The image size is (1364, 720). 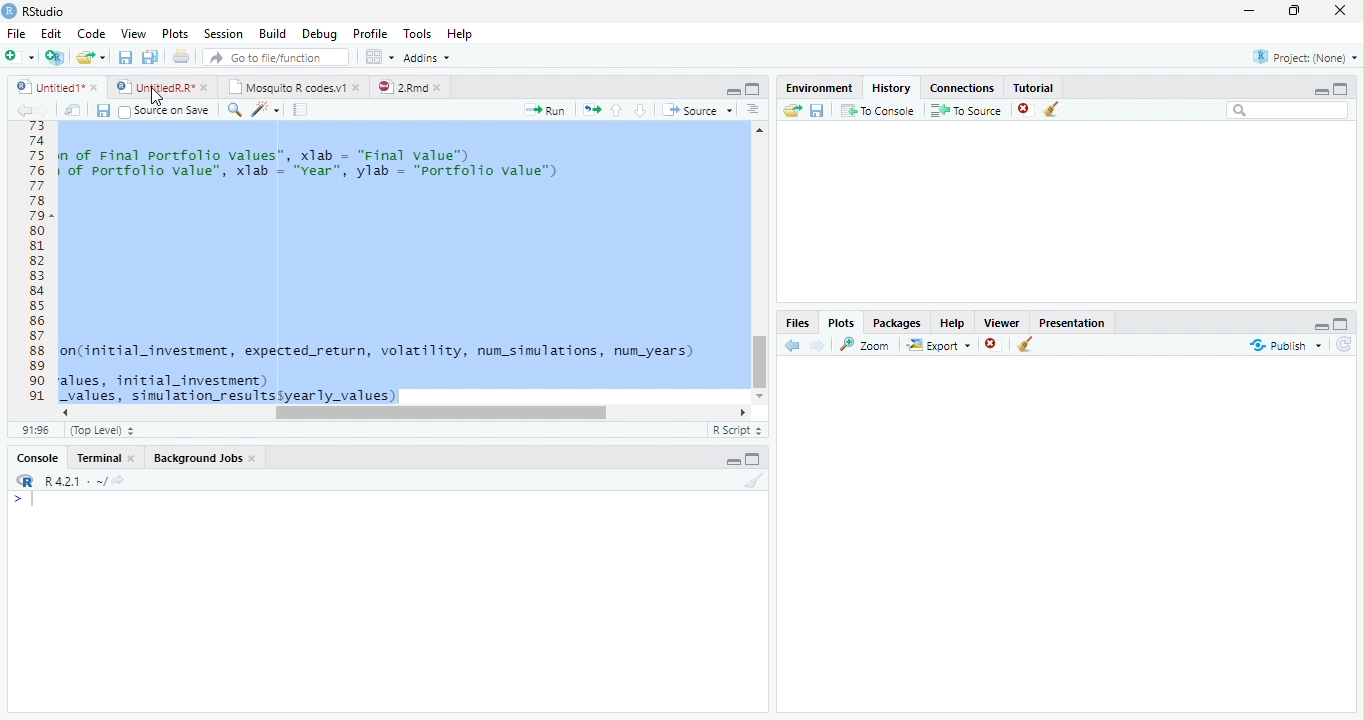 I want to click on Mosquito R codes.v1, so click(x=292, y=86).